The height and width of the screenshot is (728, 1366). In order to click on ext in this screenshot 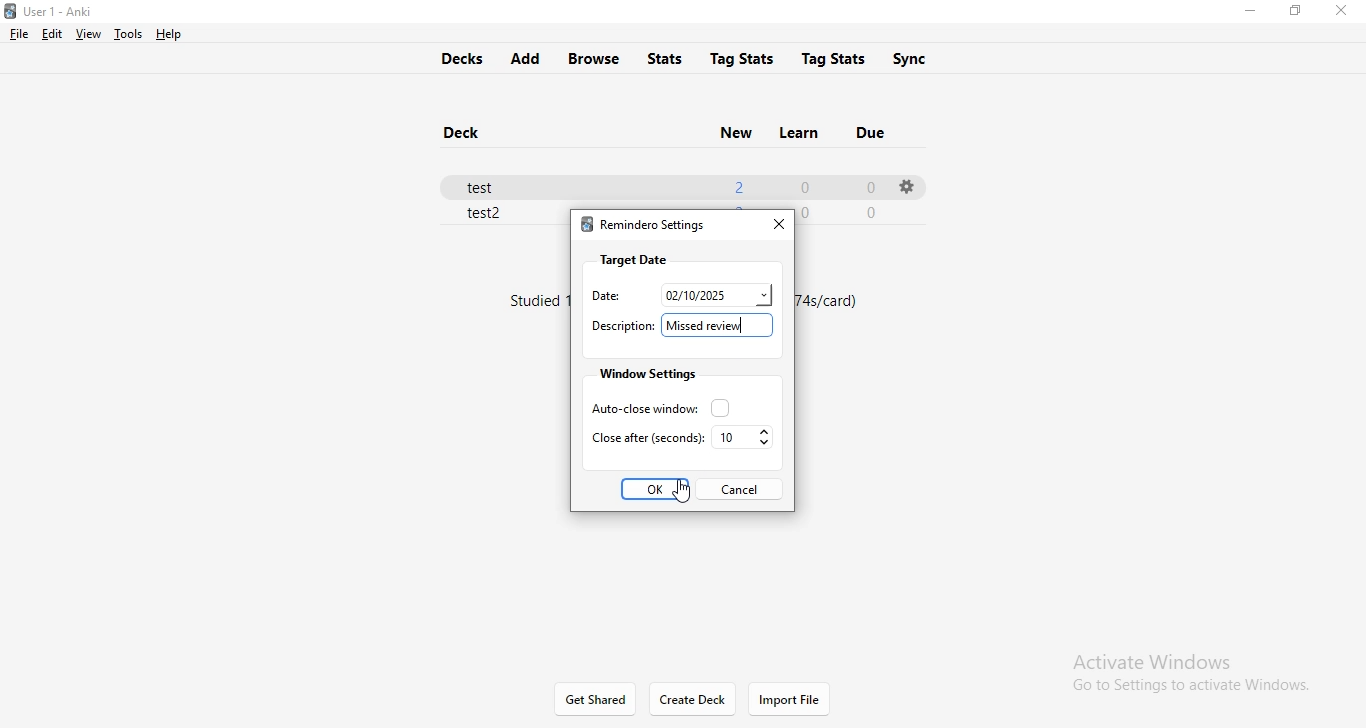, I will do `click(541, 302)`.